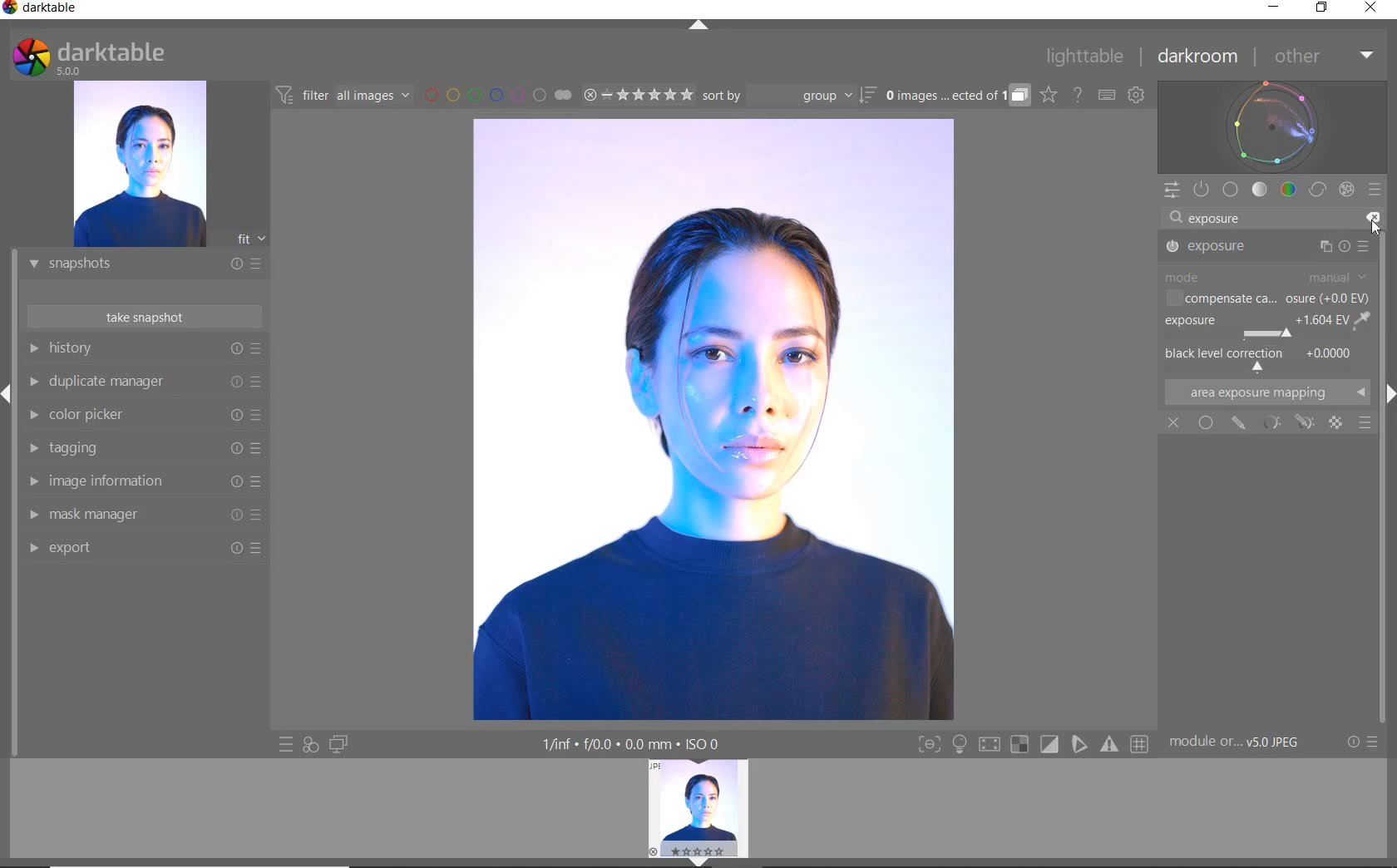 The image size is (1397, 868). Describe the element at coordinates (1085, 59) in the screenshot. I see `LIGHTTABLE` at that location.